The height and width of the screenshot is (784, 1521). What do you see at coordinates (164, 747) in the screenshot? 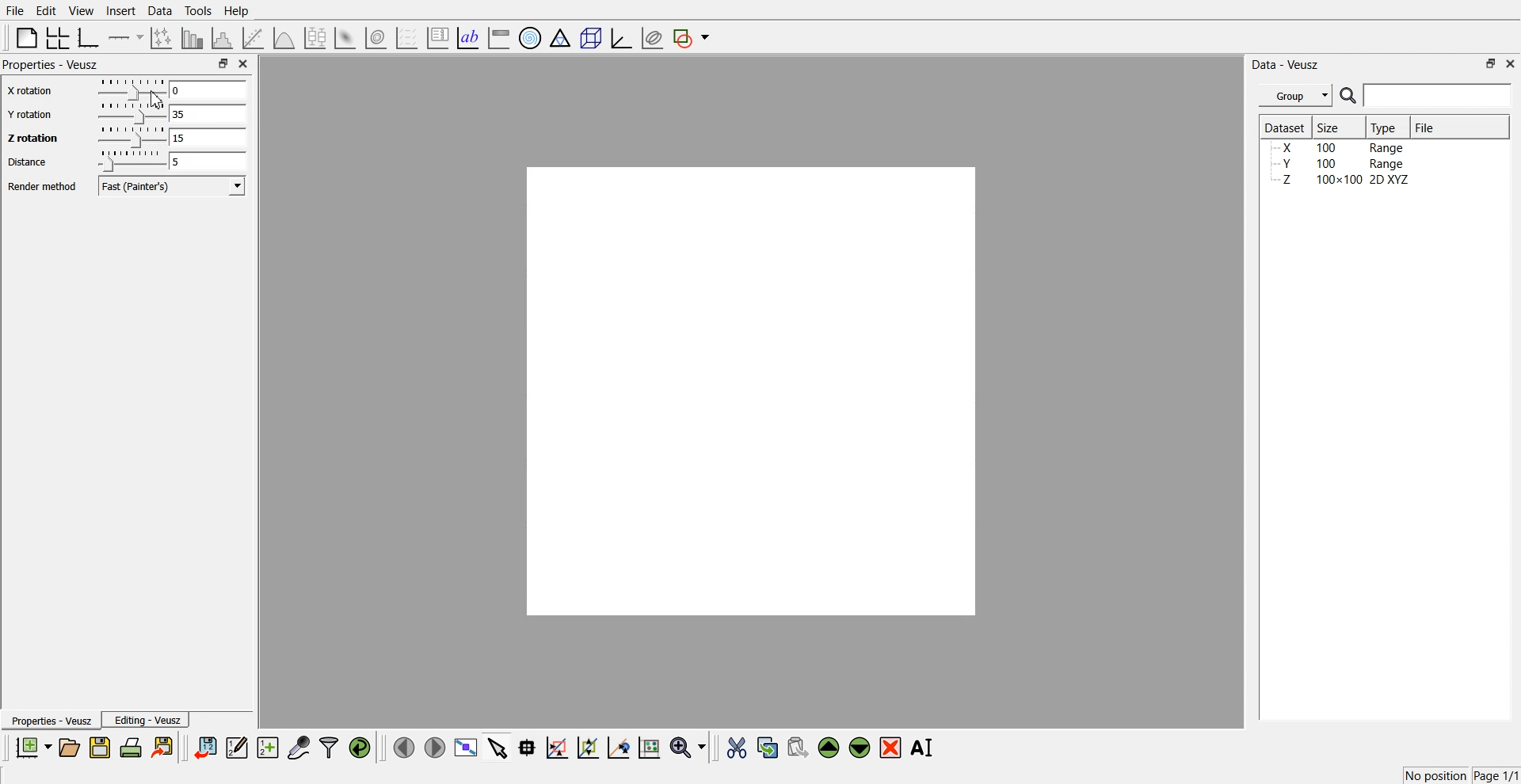
I see `Export to graphic format` at bounding box center [164, 747].